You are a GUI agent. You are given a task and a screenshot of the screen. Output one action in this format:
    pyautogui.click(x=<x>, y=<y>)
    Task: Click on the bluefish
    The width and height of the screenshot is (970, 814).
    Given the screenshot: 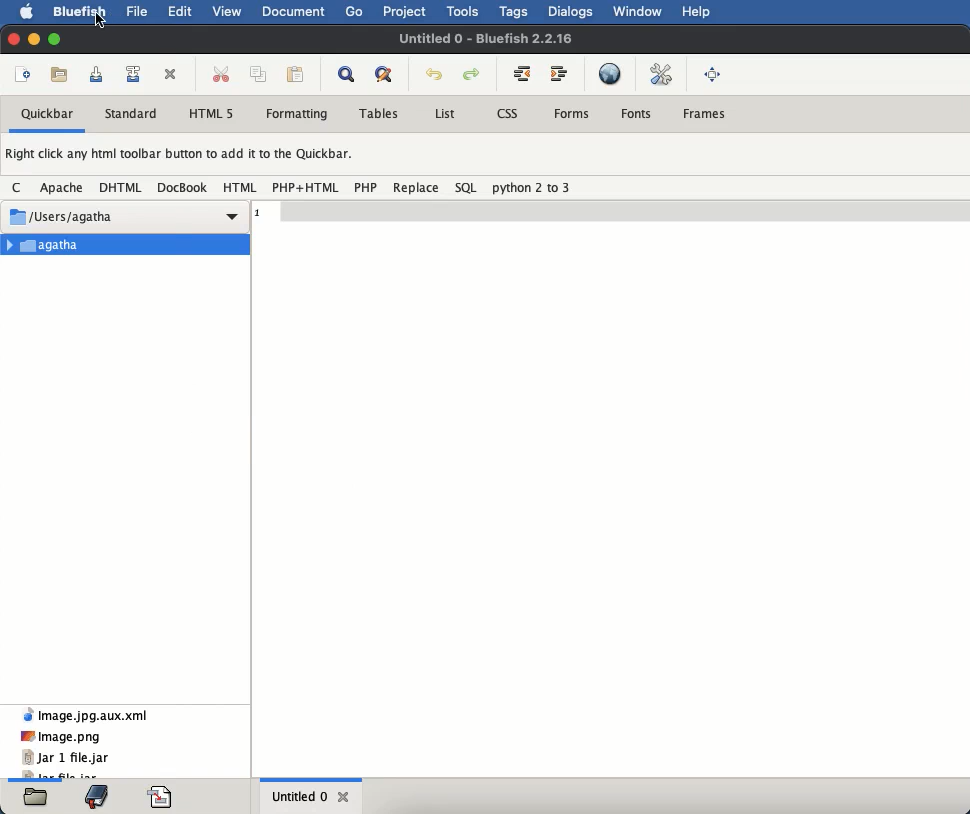 What is the action you would take?
    pyautogui.click(x=81, y=14)
    